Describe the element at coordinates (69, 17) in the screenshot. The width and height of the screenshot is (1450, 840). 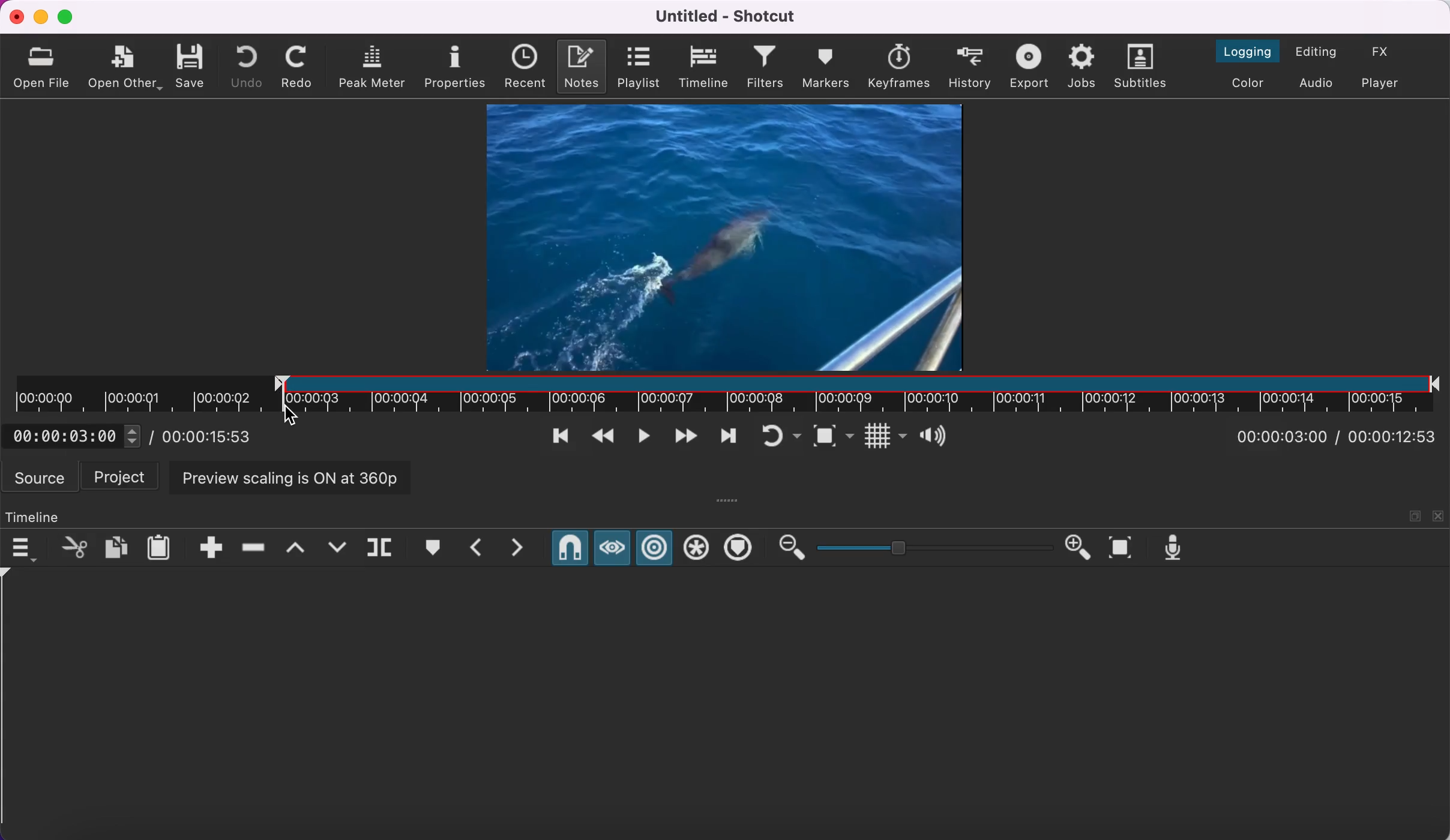
I see `maximize` at that location.